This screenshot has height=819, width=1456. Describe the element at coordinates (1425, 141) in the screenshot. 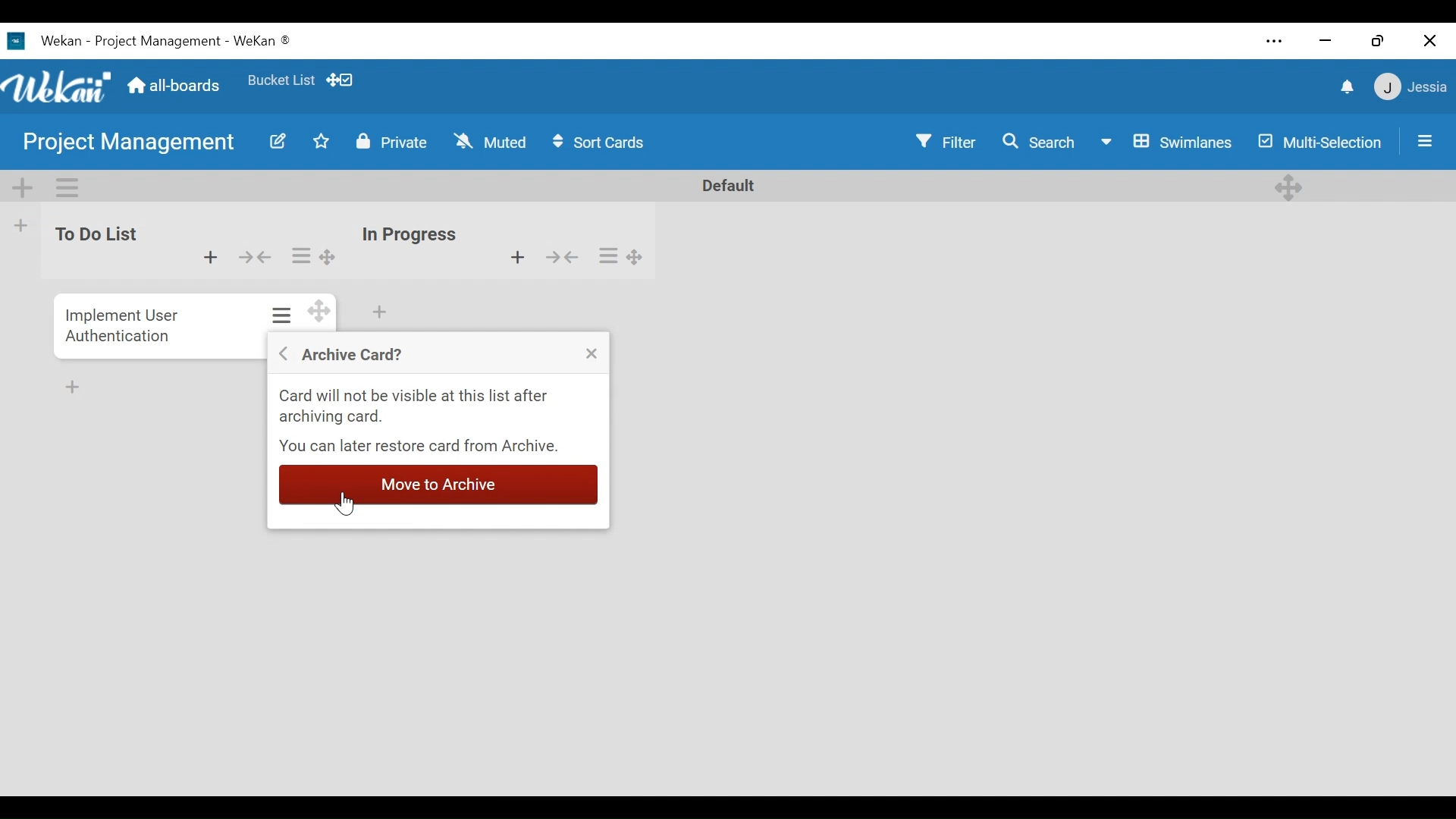

I see `Open/Close Sidebar` at that location.